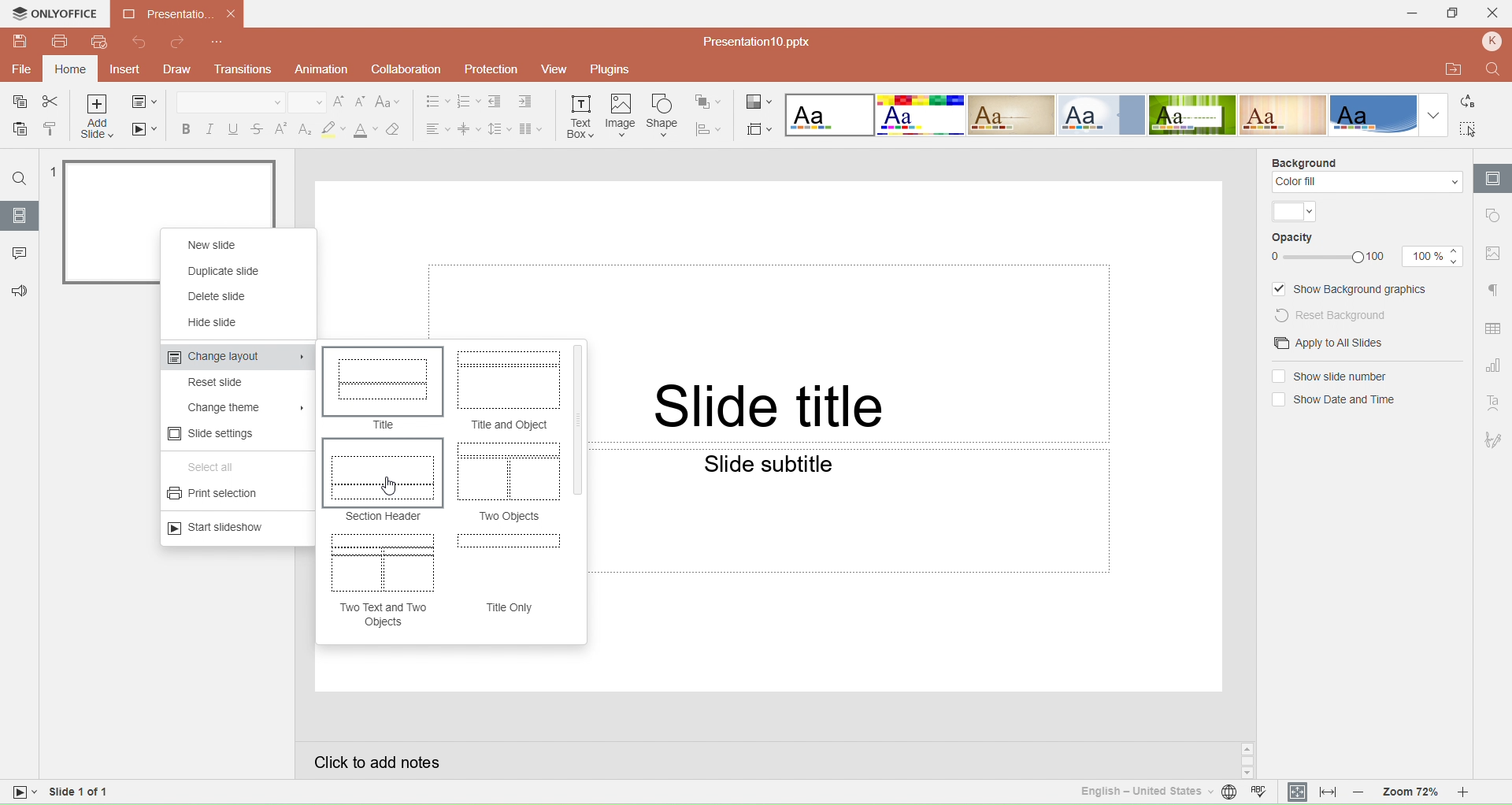  Describe the element at coordinates (759, 100) in the screenshot. I see `Change color theme` at that location.